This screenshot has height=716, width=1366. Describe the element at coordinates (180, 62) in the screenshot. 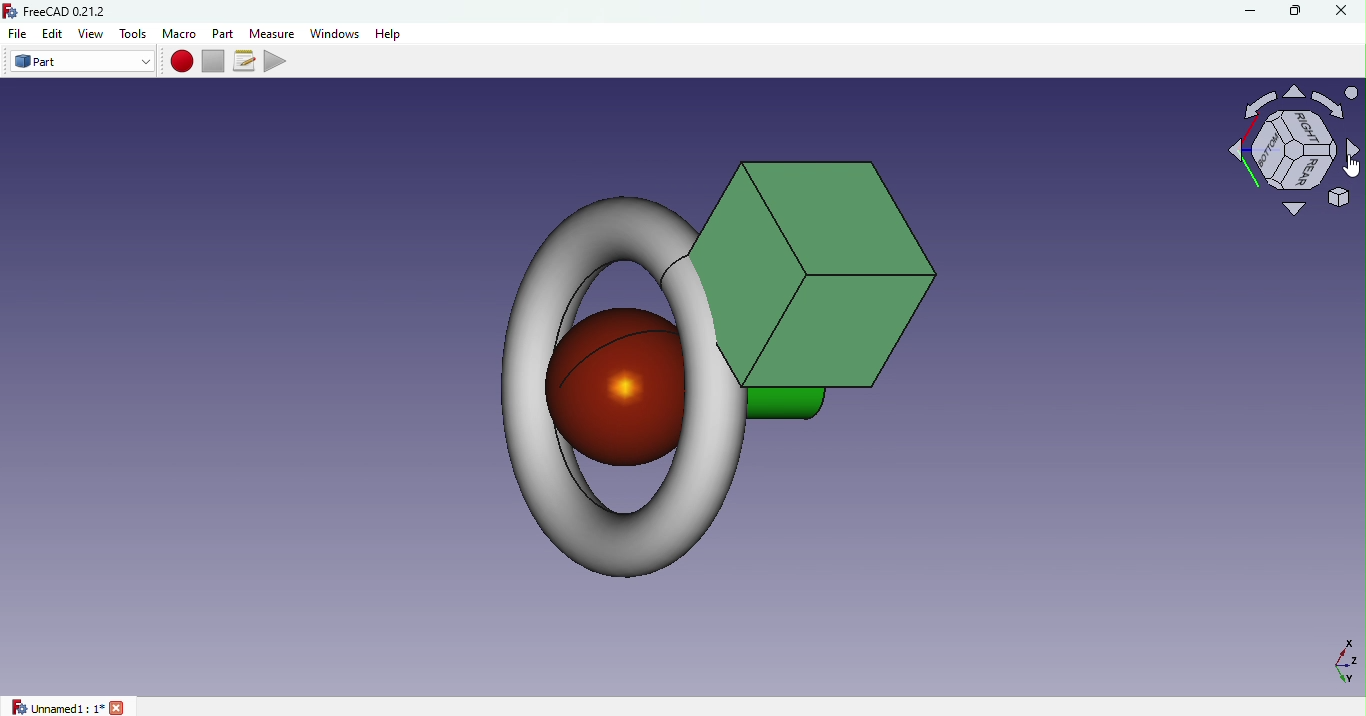

I see `Macro recording` at that location.